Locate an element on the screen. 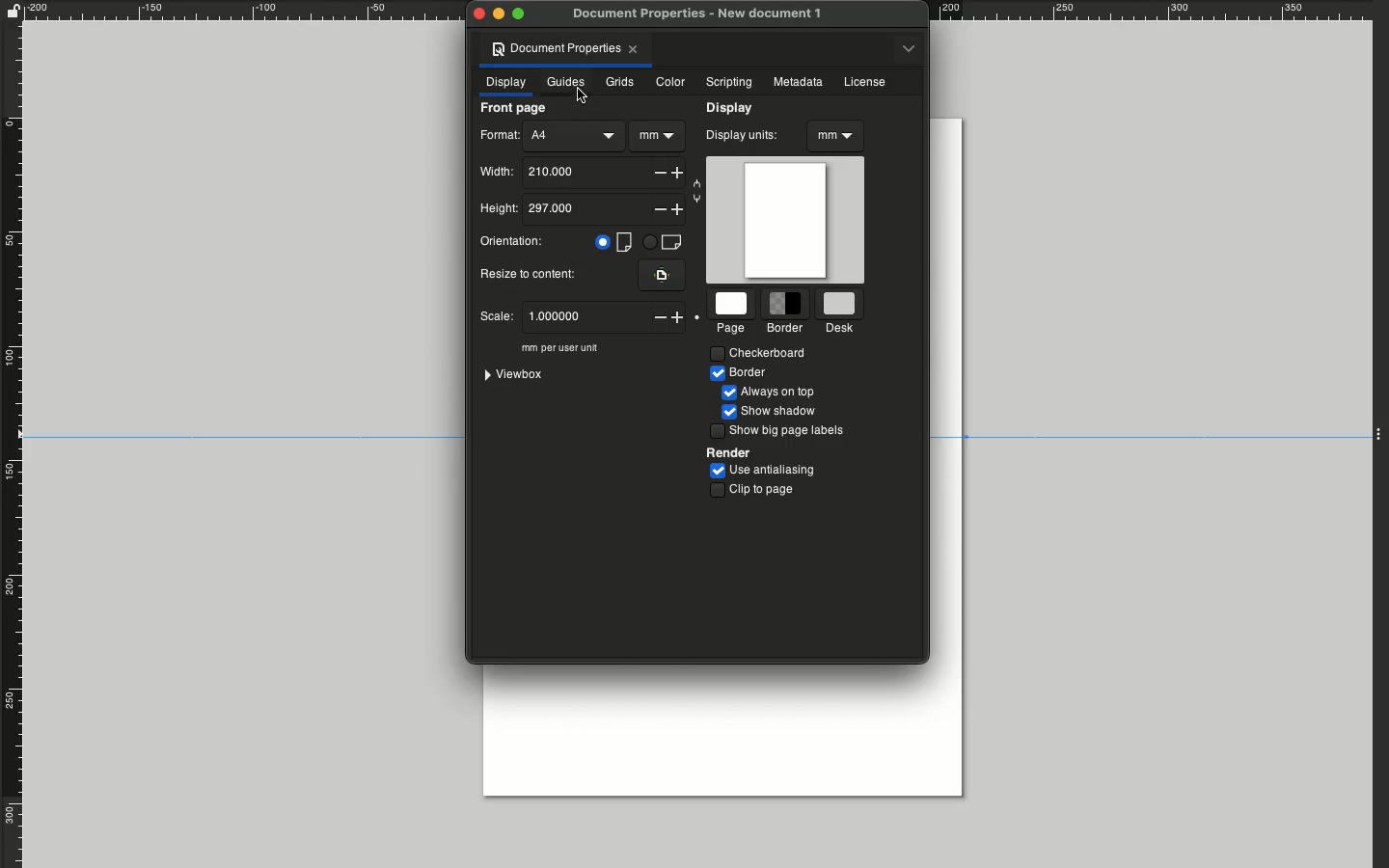  Border is located at coordinates (783, 313).